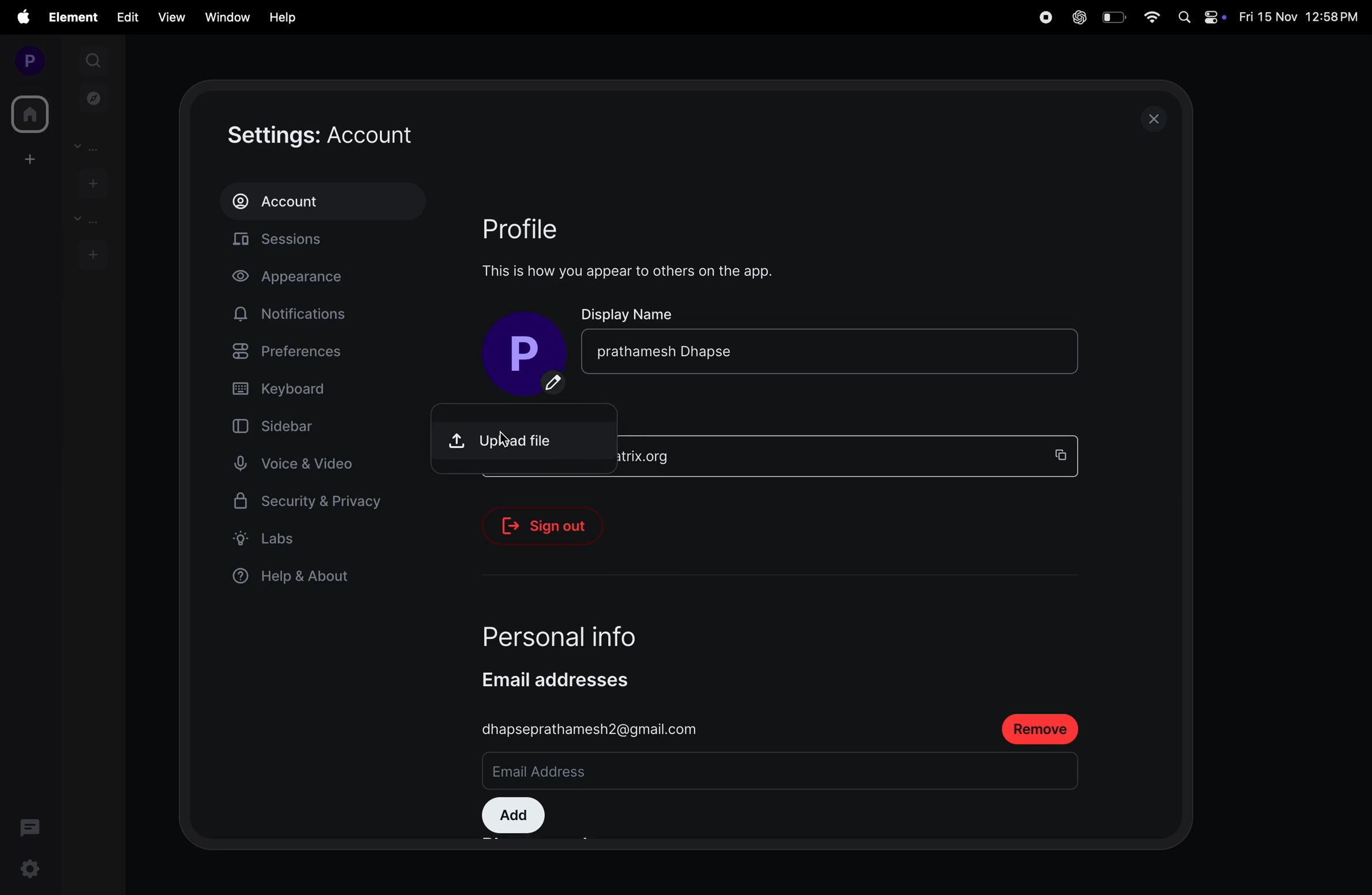 The image size is (1372, 895). What do you see at coordinates (1153, 18) in the screenshot?
I see `wifi` at bounding box center [1153, 18].